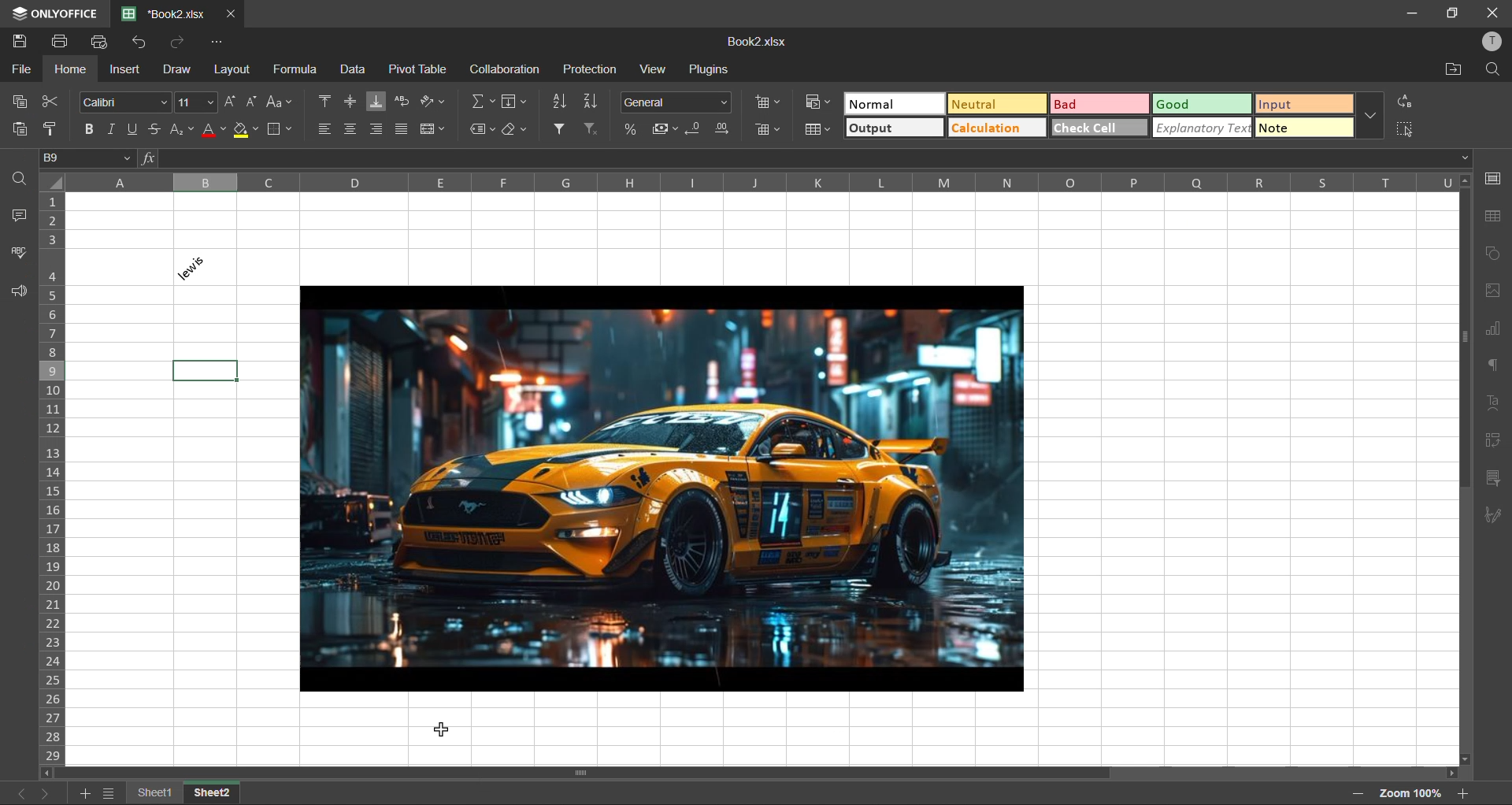  What do you see at coordinates (443, 729) in the screenshot?
I see `Cursor` at bounding box center [443, 729].